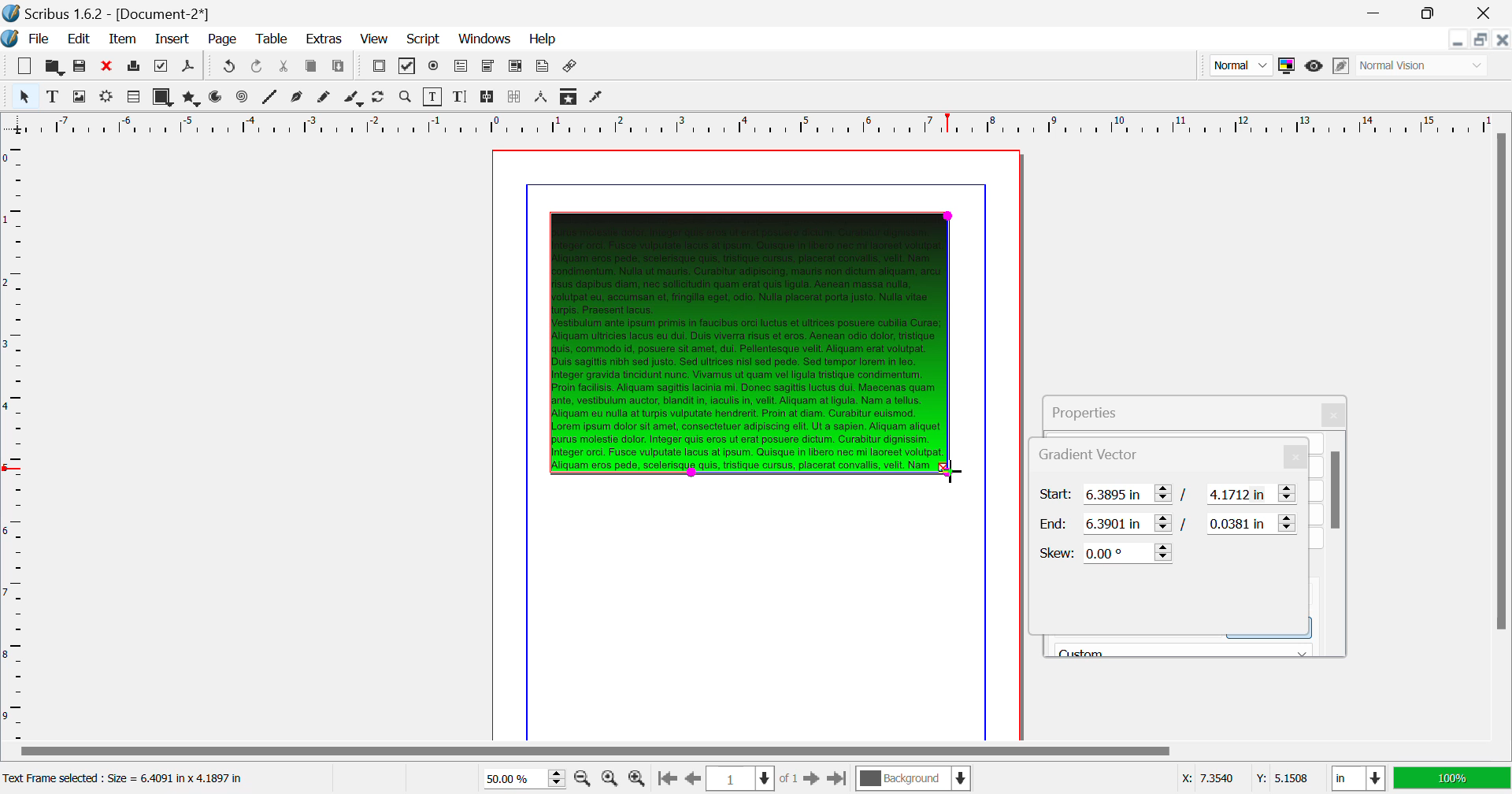 The image size is (1512, 794). What do you see at coordinates (1424, 65) in the screenshot?
I see `Display Visual Appearance` at bounding box center [1424, 65].